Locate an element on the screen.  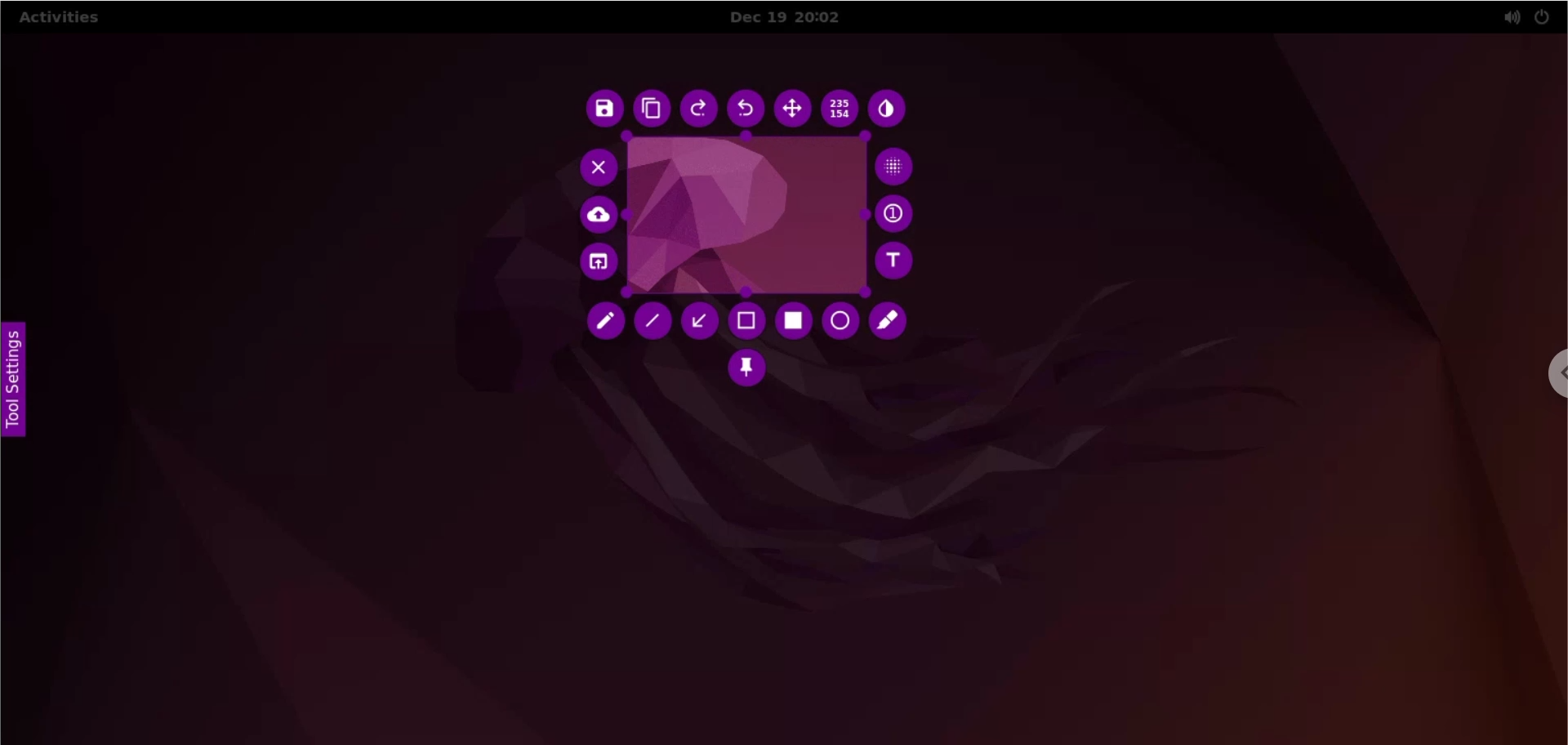
power settings is located at coordinates (1542, 18).